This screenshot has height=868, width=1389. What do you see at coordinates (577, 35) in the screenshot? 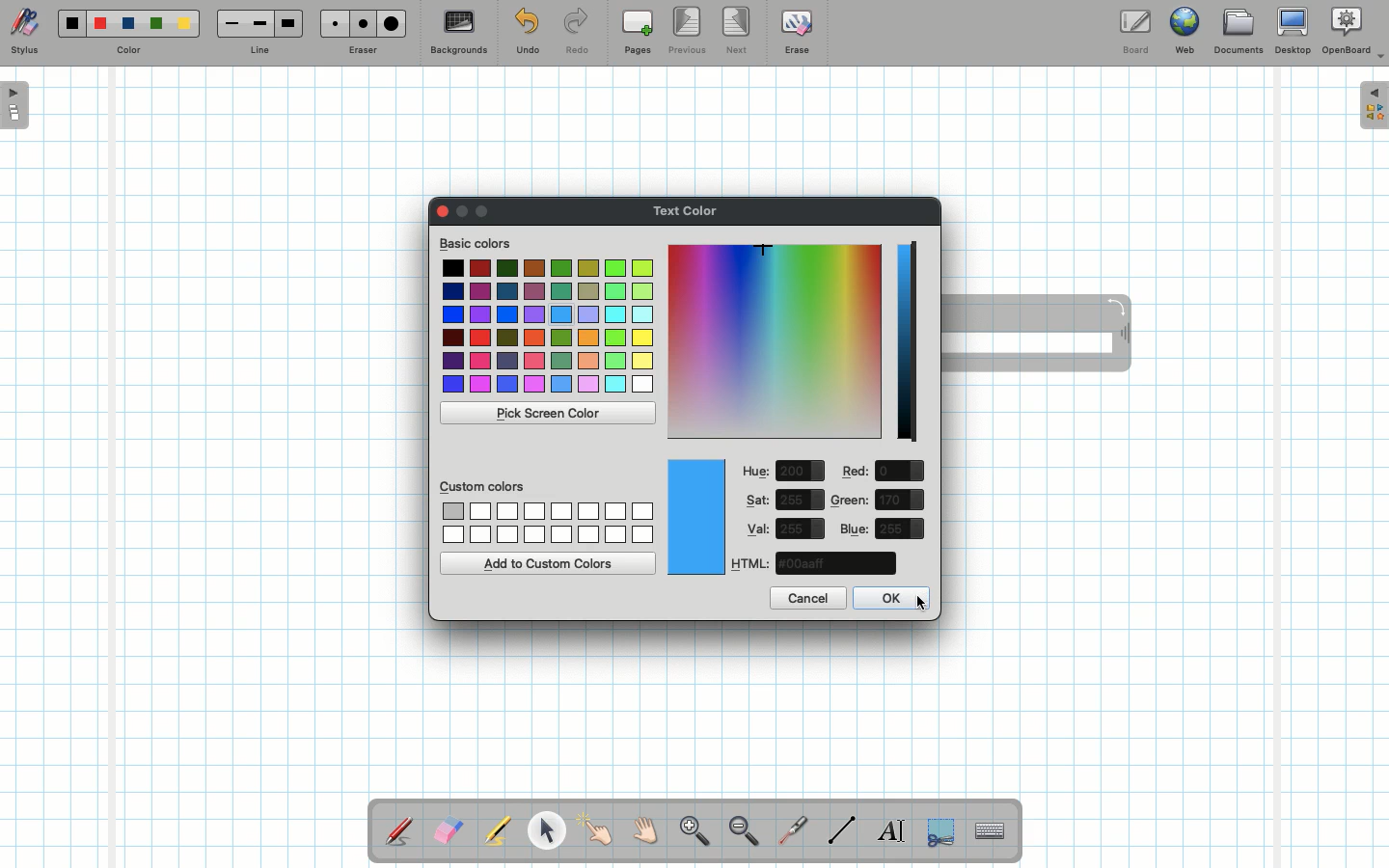
I see `Redo` at bounding box center [577, 35].